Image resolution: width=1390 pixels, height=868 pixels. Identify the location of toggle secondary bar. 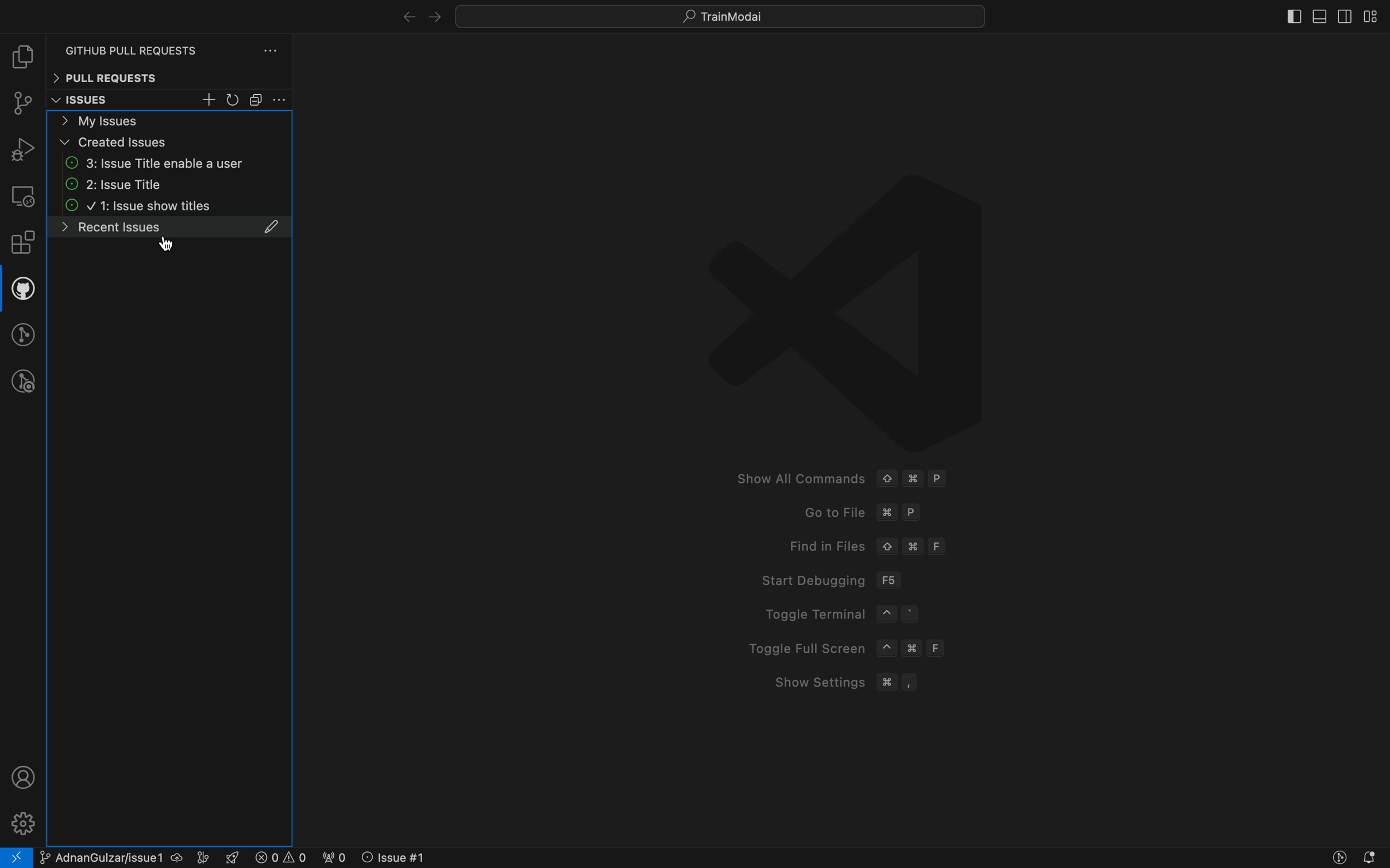
(1342, 17).